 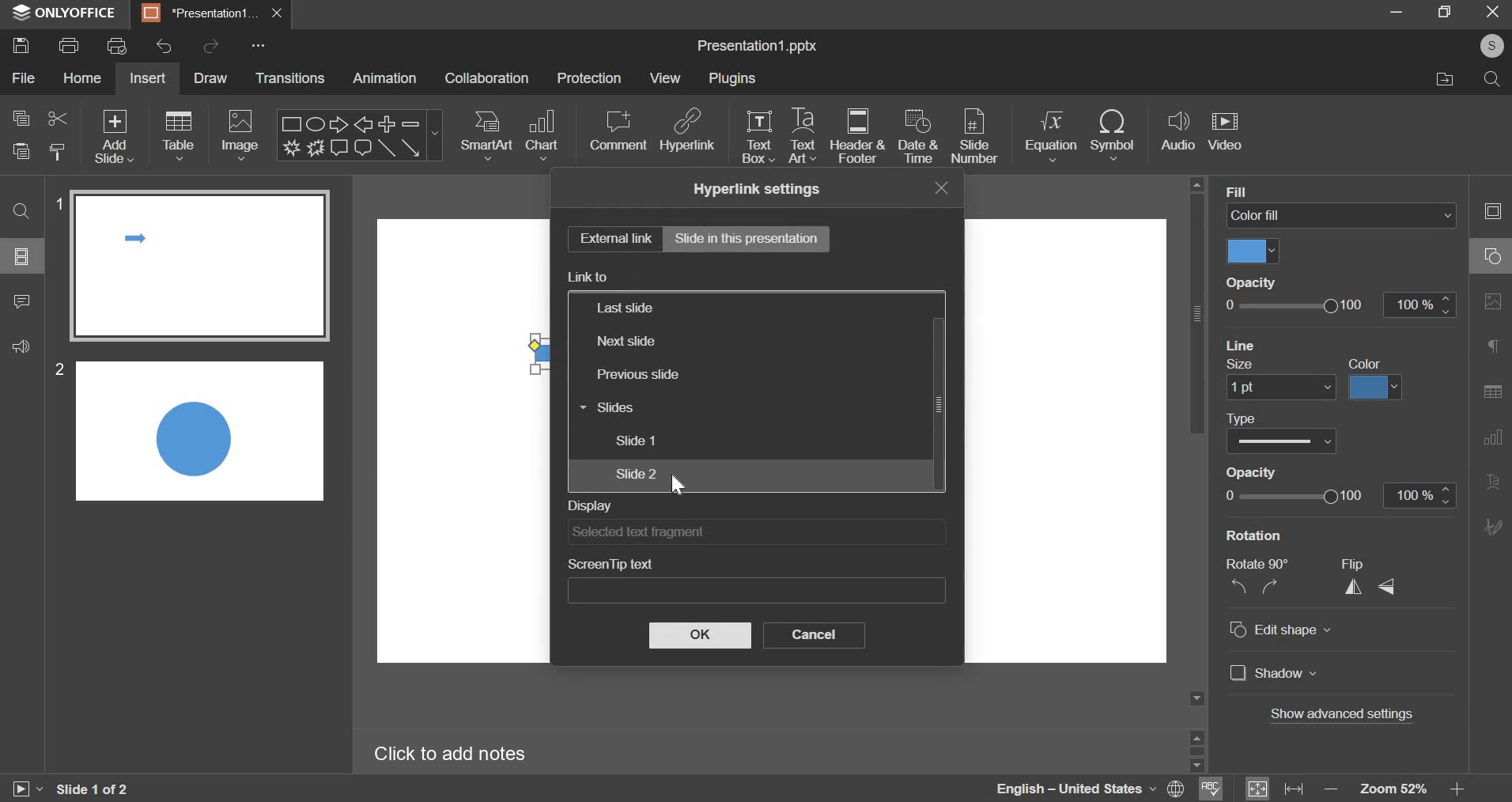 What do you see at coordinates (411, 123) in the screenshot?
I see `Minus` at bounding box center [411, 123].